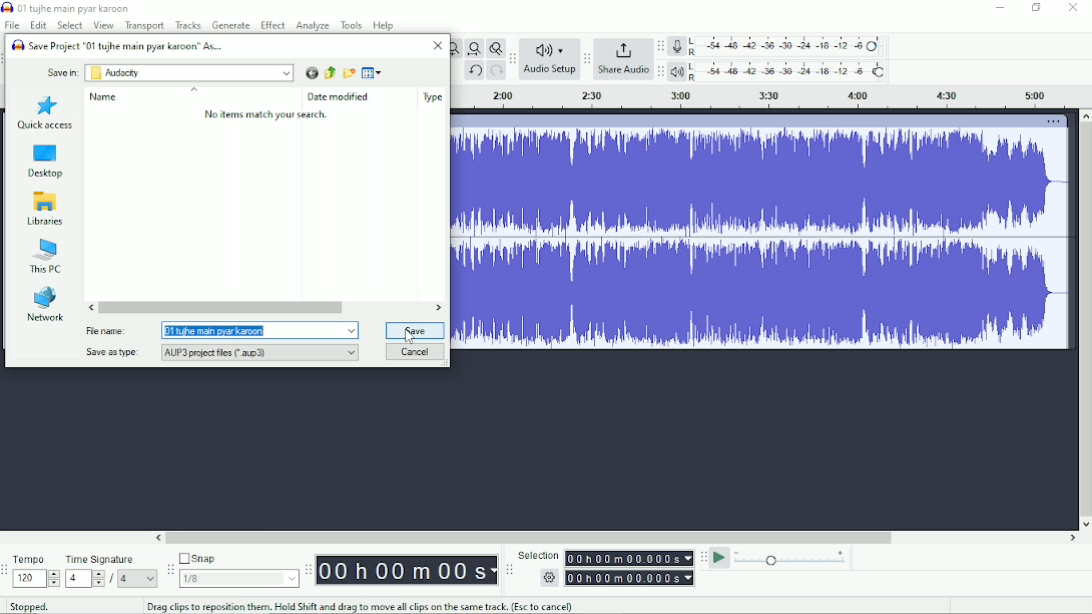 This screenshot has height=614, width=1092. I want to click on Date modified, so click(341, 97).